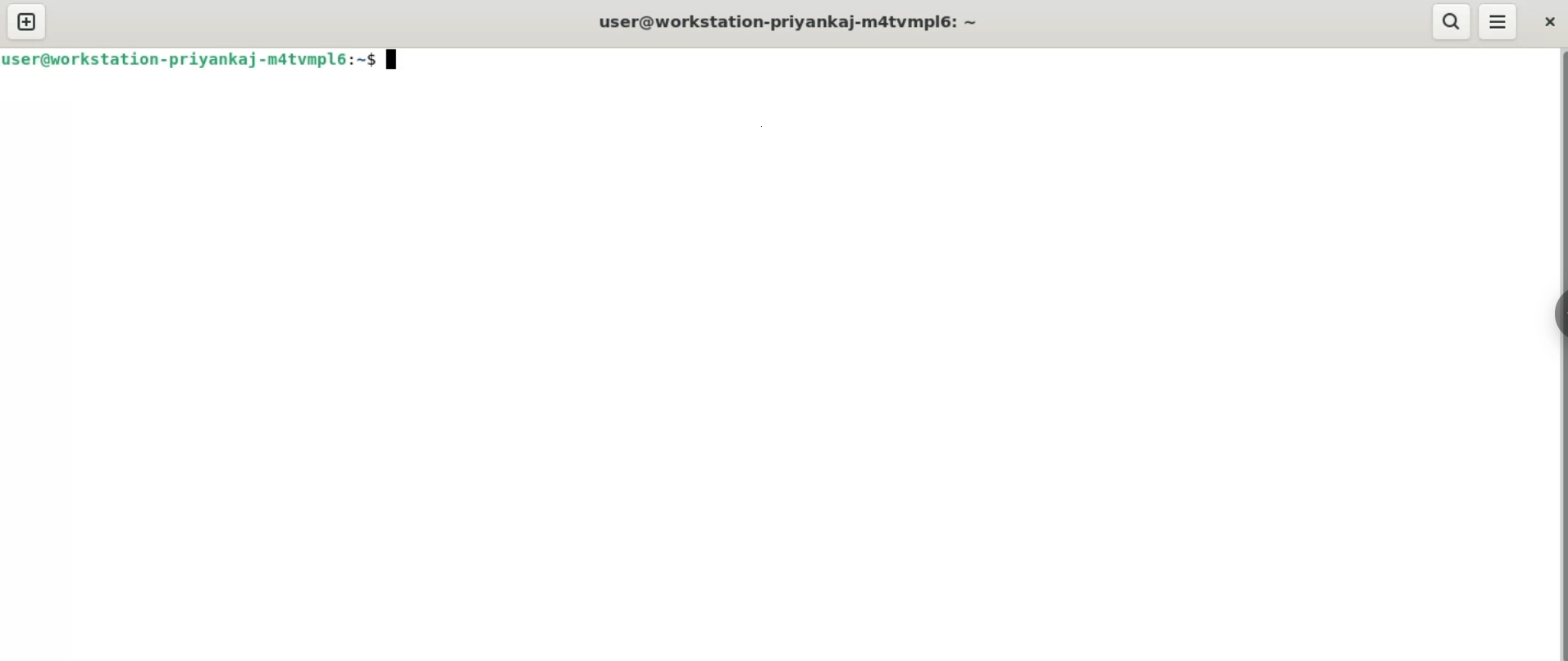  What do you see at coordinates (1549, 311) in the screenshot?
I see `Toggle button` at bounding box center [1549, 311].